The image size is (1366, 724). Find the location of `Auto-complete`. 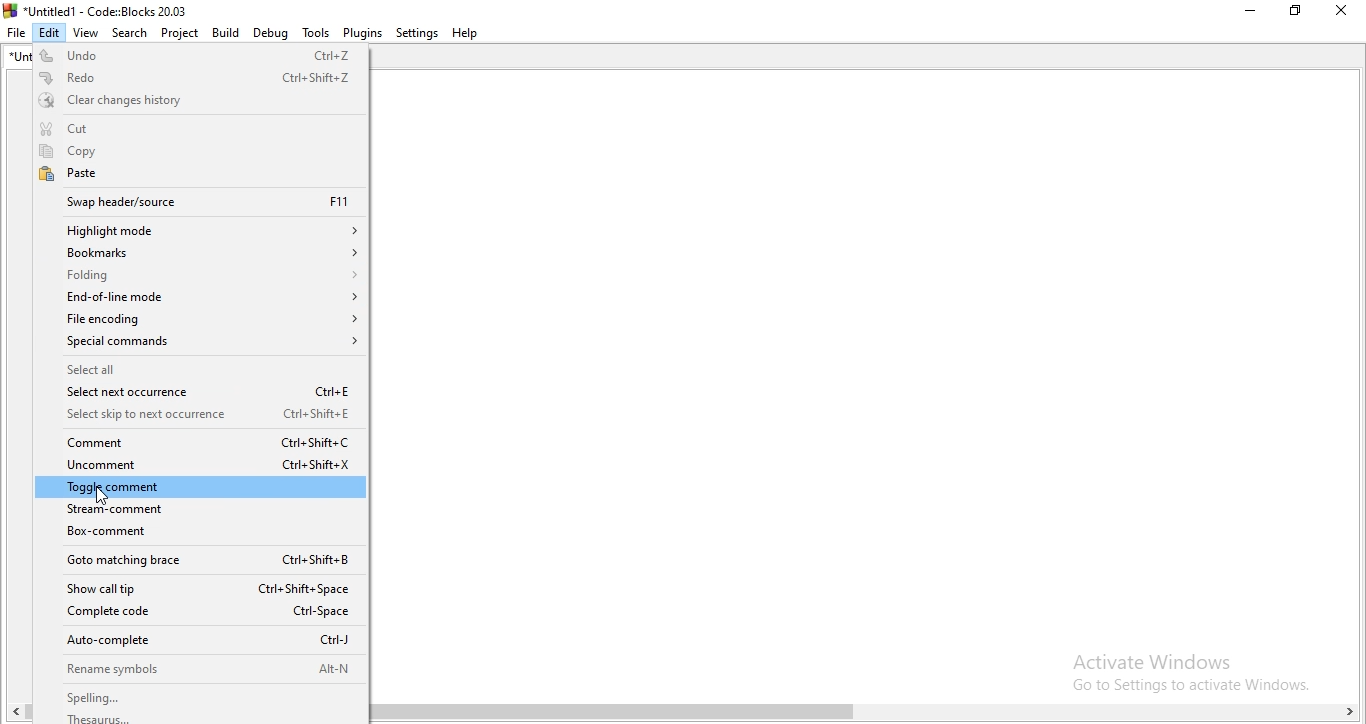

Auto-complete is located at coordinates (204, 641).